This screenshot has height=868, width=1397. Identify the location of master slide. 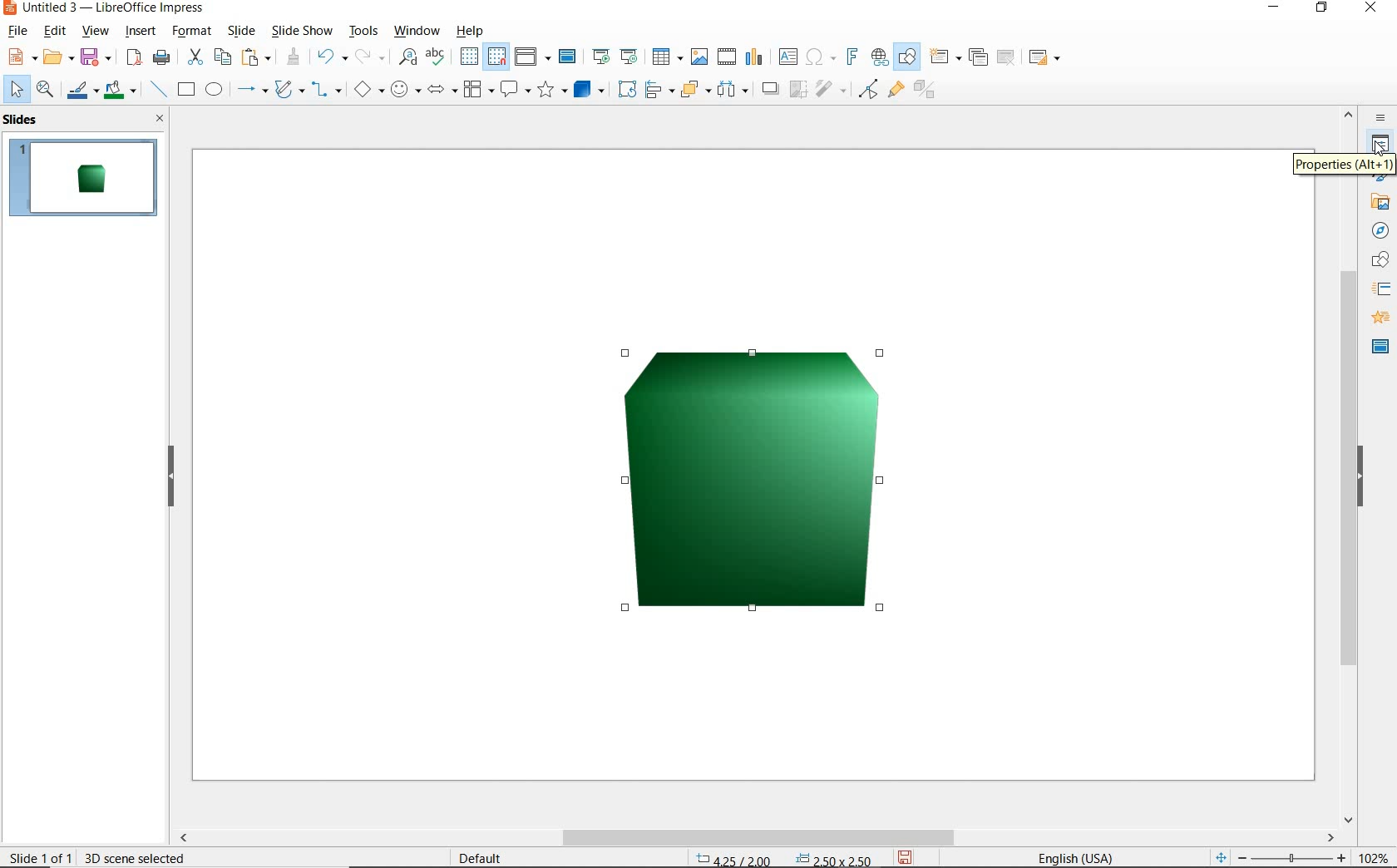
(568, 57).